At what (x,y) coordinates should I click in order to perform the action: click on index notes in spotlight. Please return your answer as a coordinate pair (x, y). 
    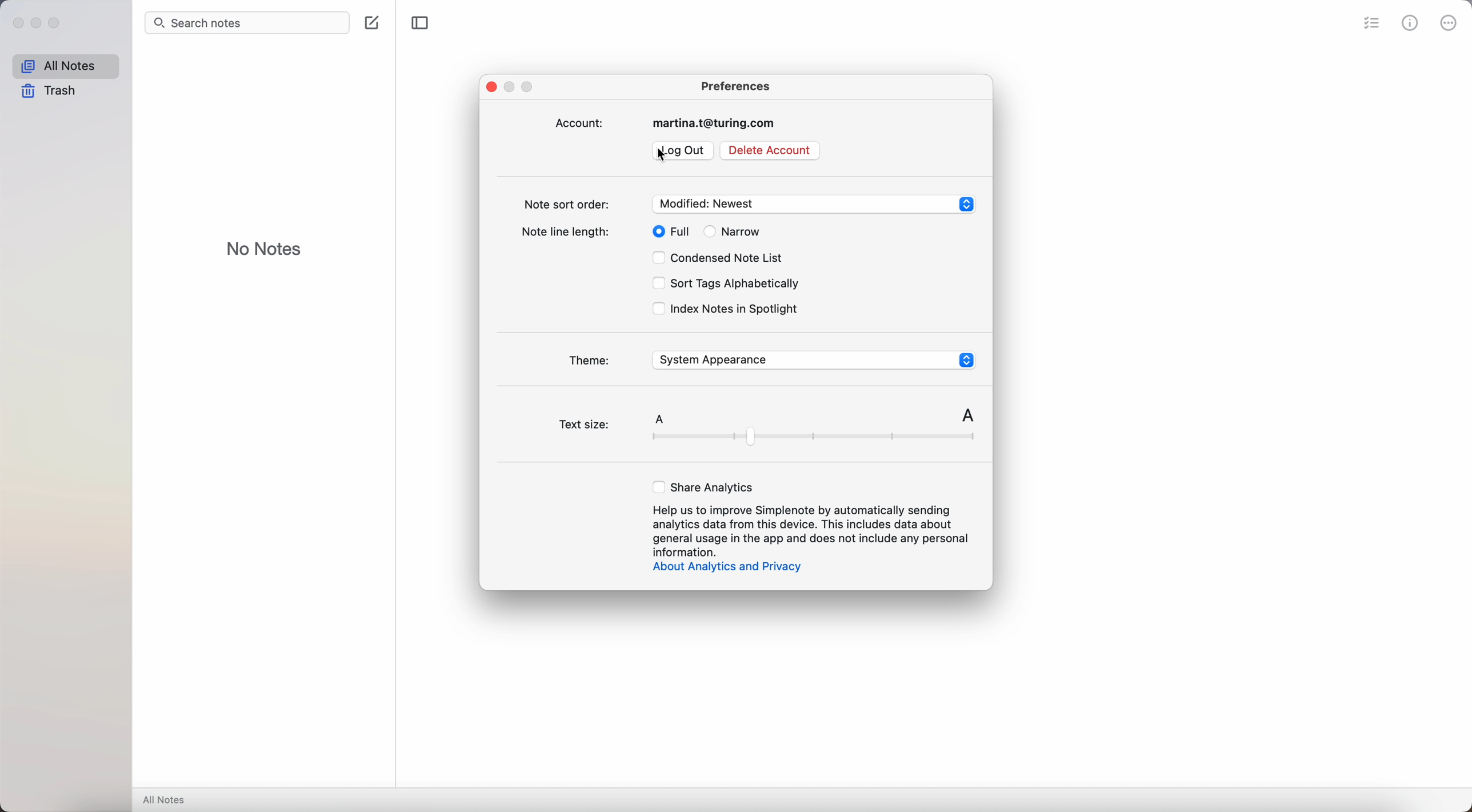
    Looking at the image, I should click on (734, 309).